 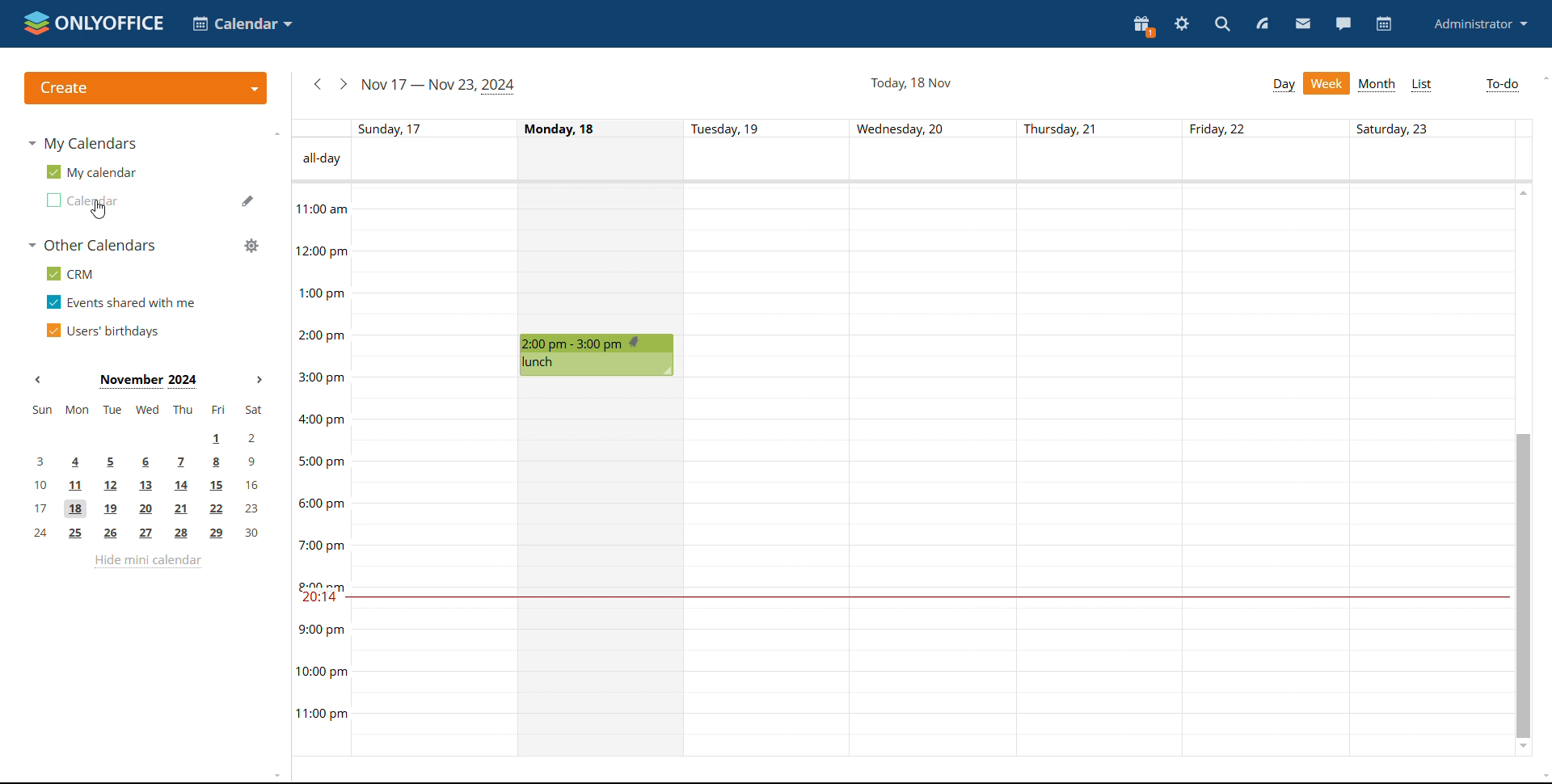 What do you see at coordinates (601, 568) in the screenshot?
I see `monday` at bounding box center [601, 568].